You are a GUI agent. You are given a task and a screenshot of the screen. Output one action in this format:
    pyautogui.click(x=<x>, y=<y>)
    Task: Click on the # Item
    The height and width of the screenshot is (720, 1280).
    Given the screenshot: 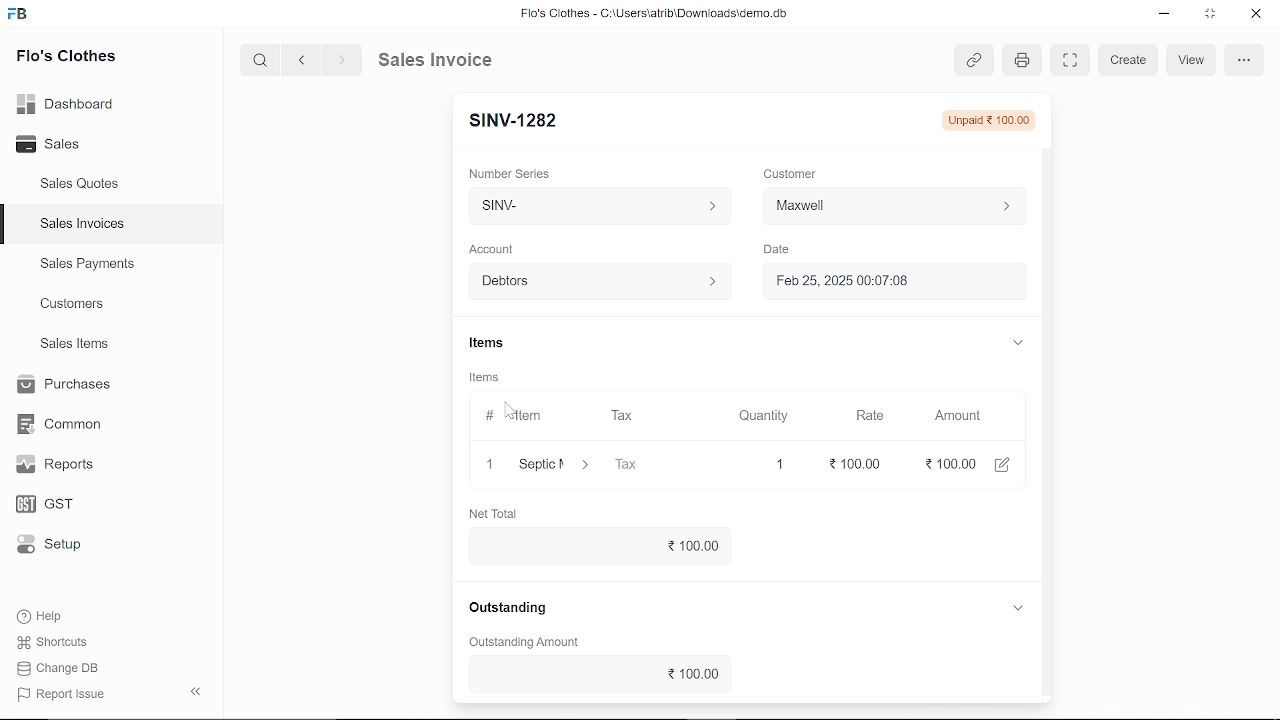 What is the action you would take?
    pyautogui.click(x=513, y=417)
    